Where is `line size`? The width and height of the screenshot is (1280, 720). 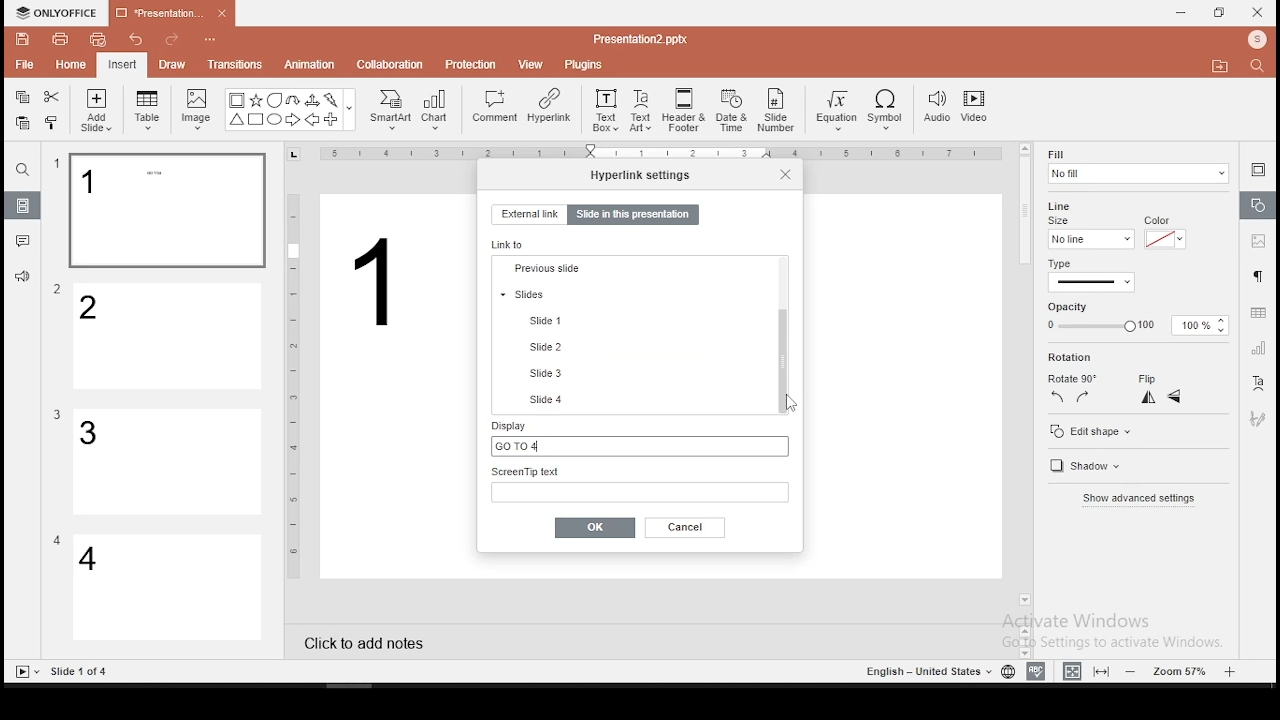 line size is located at coordinates (1090, 238).